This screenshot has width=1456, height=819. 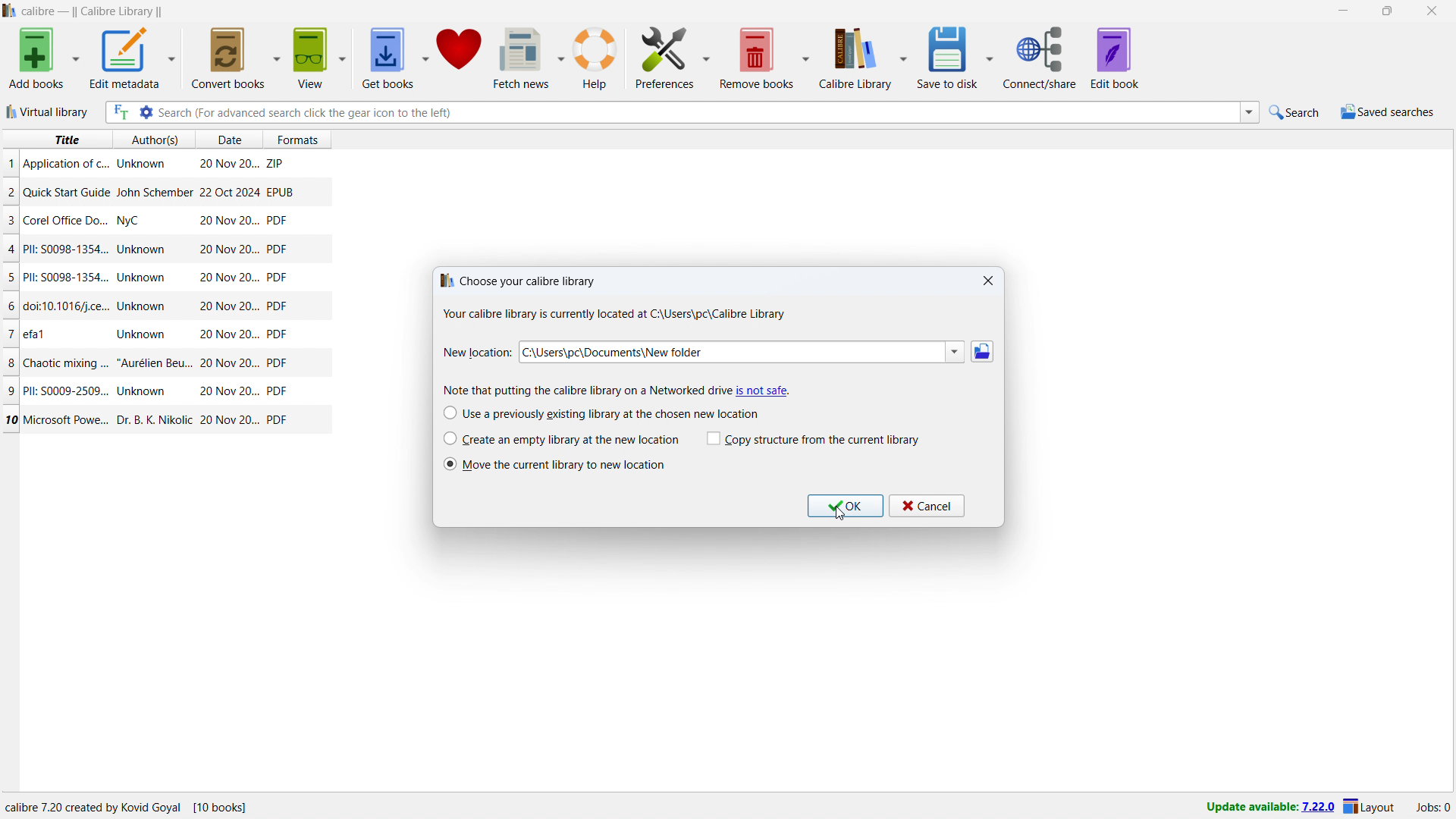 What do you see at coordinates (144, 306) in the screenshot?
I see `Author` at bounding box center [144, 306].